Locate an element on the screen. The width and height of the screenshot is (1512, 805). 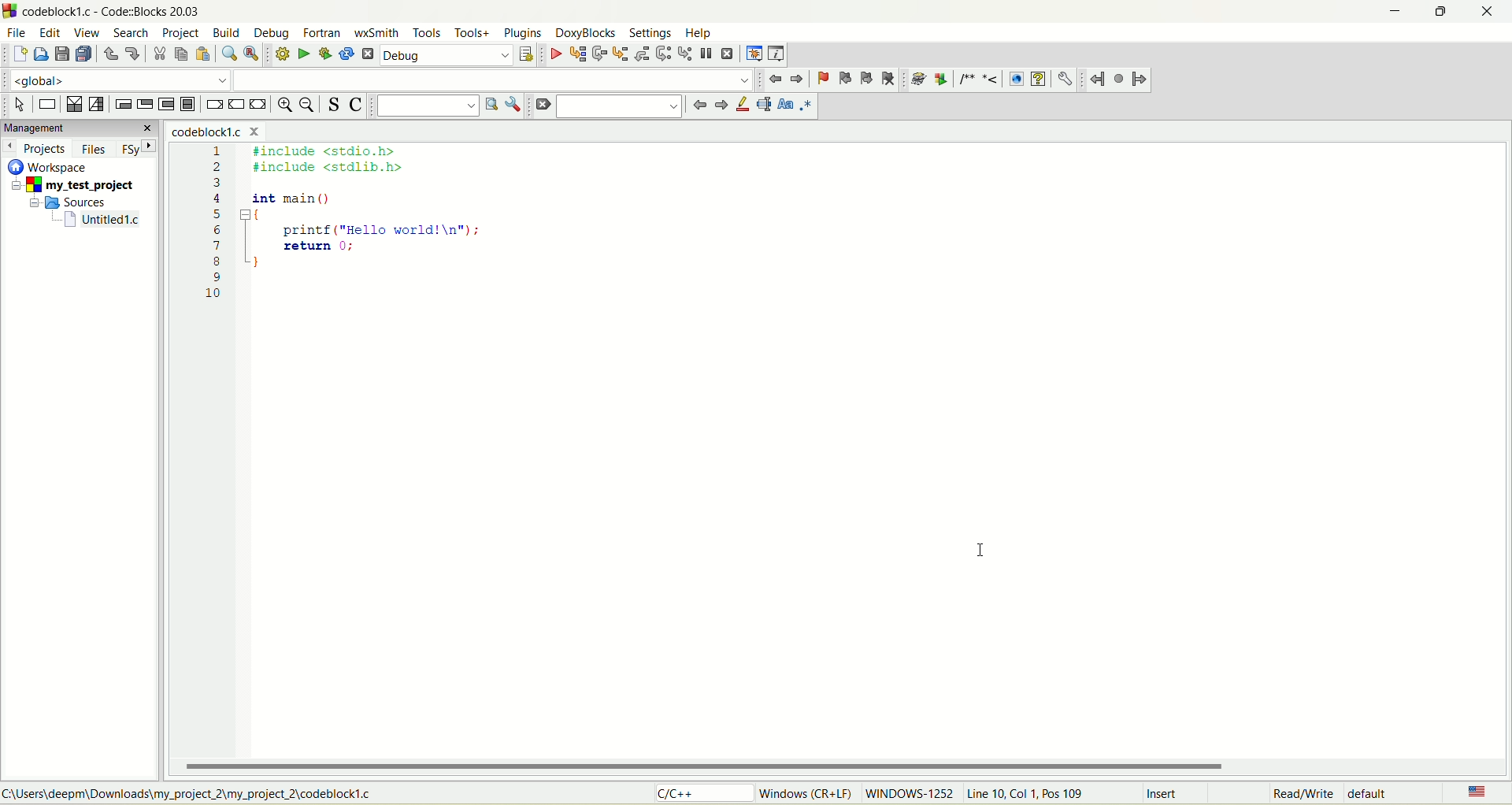
jump back is located at coordinates (1097, 80).